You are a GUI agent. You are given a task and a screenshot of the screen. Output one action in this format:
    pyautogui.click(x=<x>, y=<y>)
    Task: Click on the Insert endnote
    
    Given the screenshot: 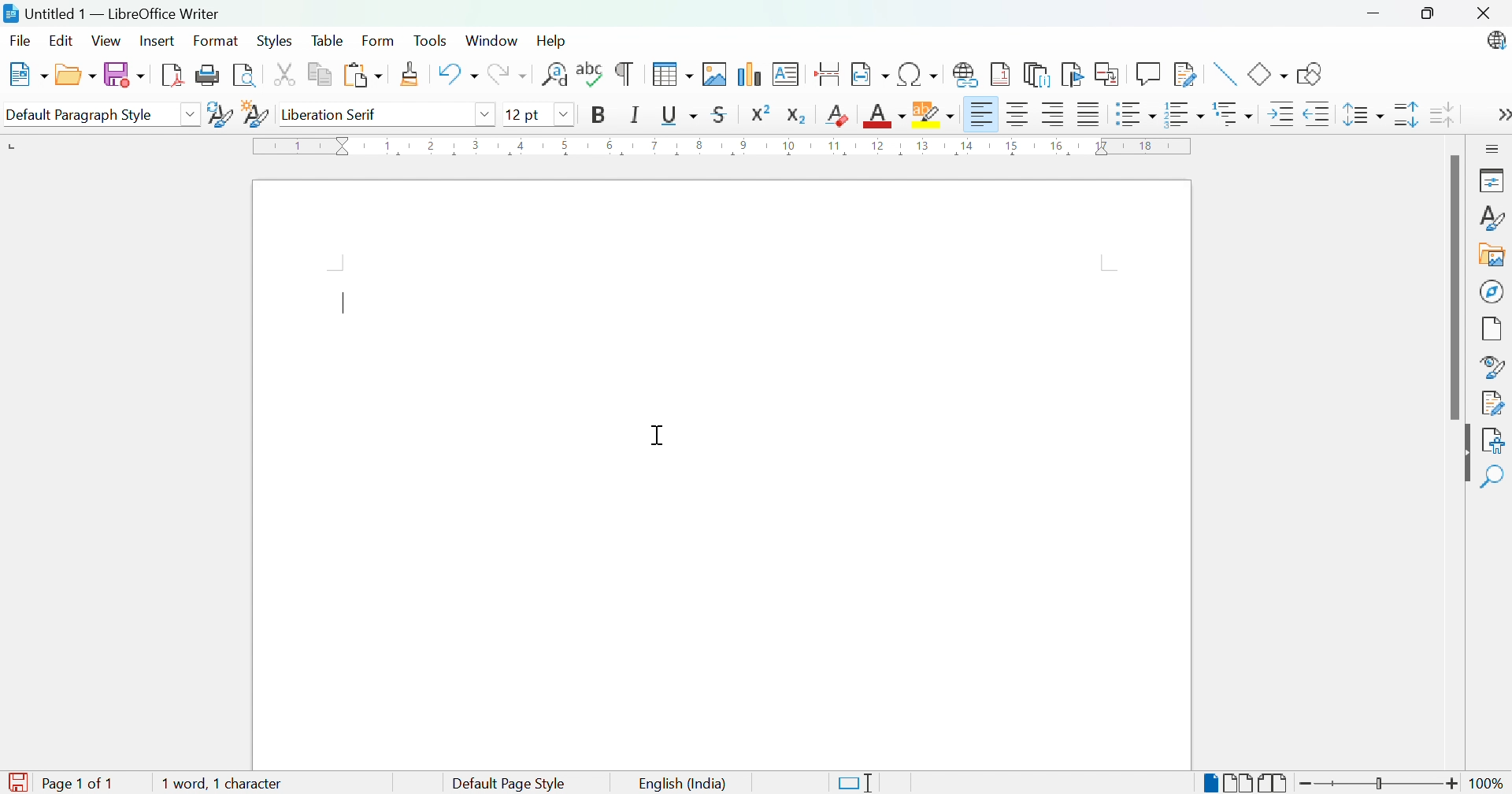 What is the action you would take?
    pyautogui.click(x=1038, y=76)
    